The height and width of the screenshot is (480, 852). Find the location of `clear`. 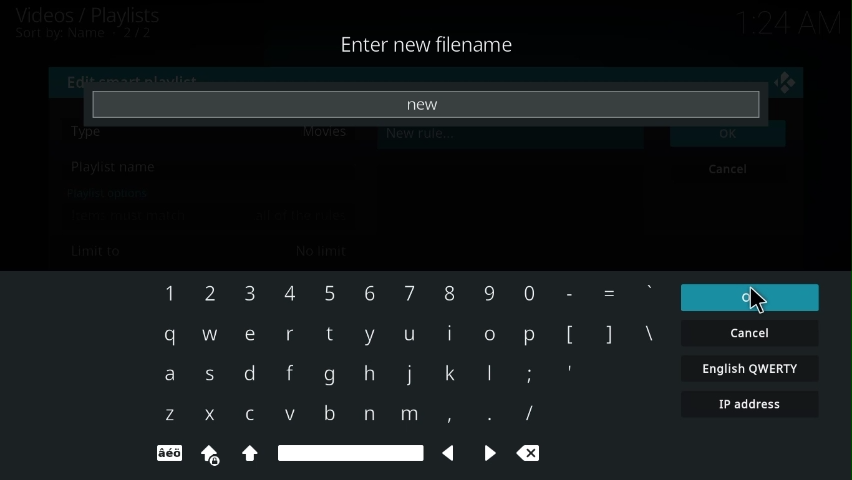

clear is located at coordinates (531, 453).